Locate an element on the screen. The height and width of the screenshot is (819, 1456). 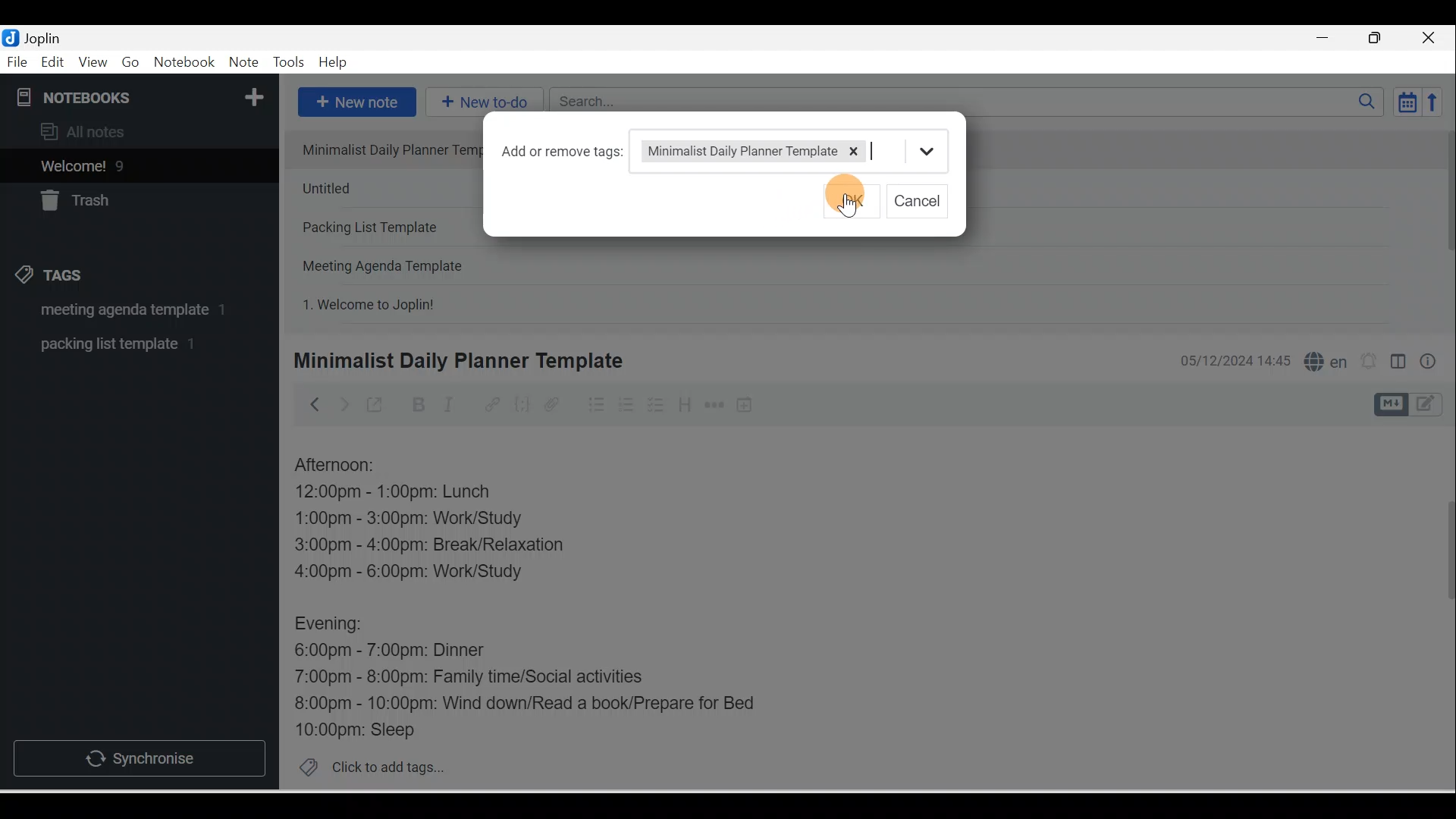
Toggle sort order is located at coordinates (1407, 101).